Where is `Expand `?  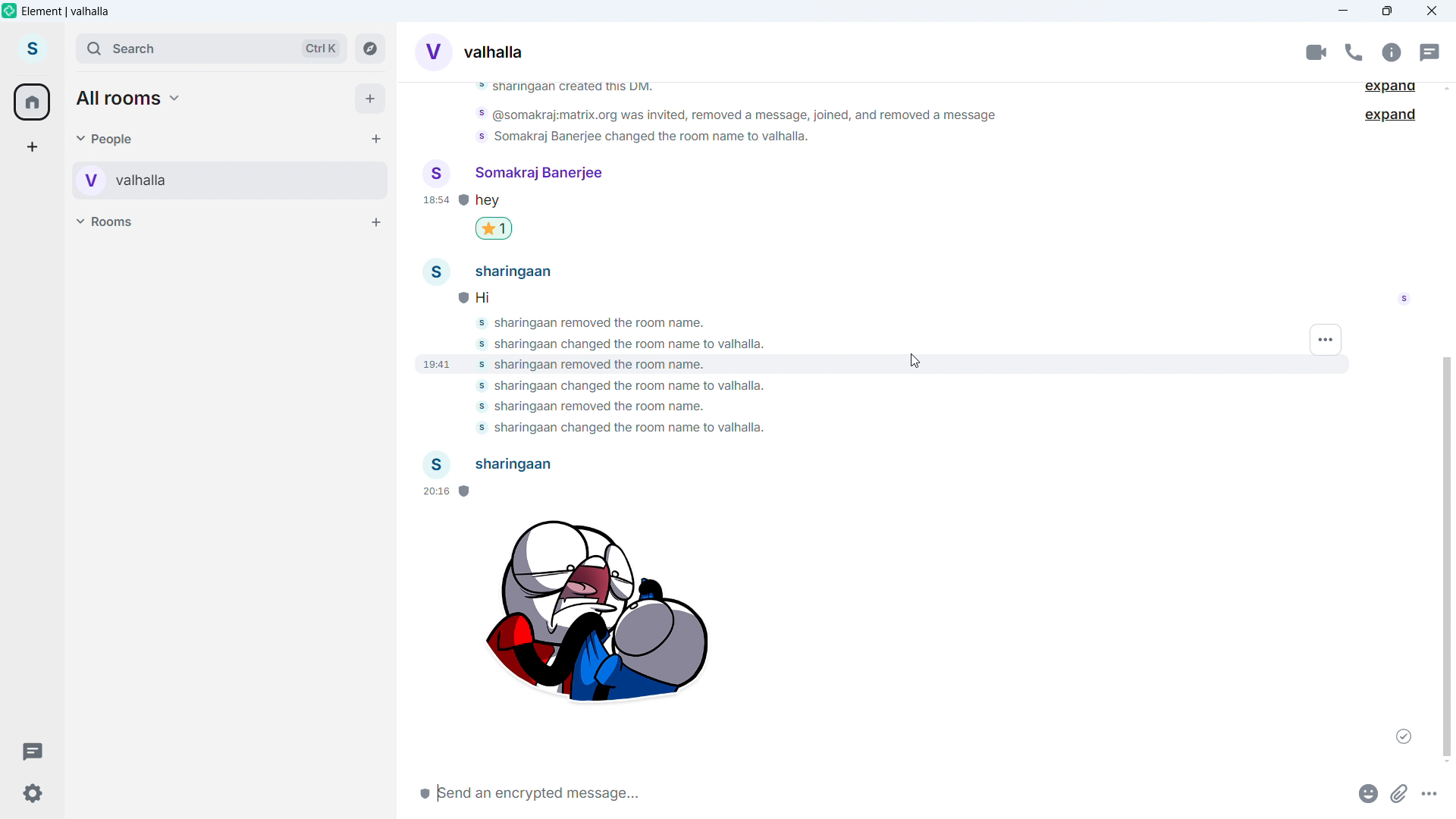 Expand  is located at coordinates (1392, 89).